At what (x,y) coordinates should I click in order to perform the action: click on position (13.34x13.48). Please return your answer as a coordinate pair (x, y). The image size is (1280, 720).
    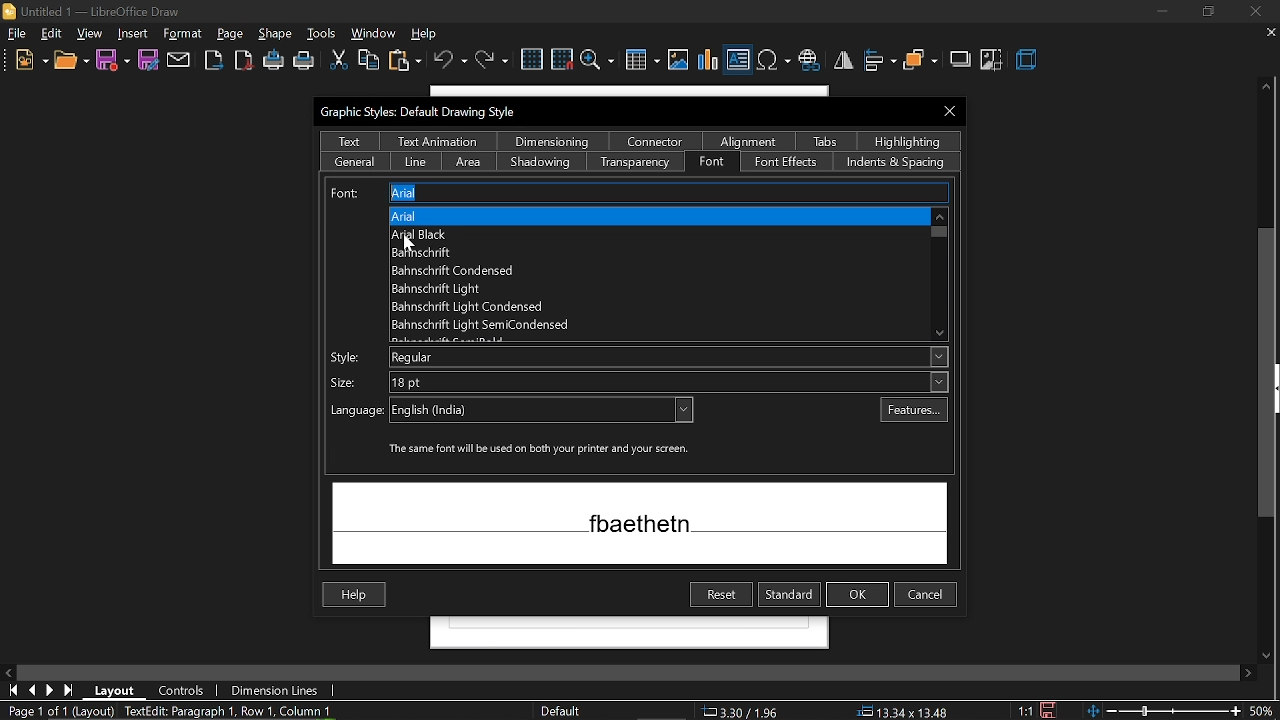
    Looking at the image, I should click on (901, 711).